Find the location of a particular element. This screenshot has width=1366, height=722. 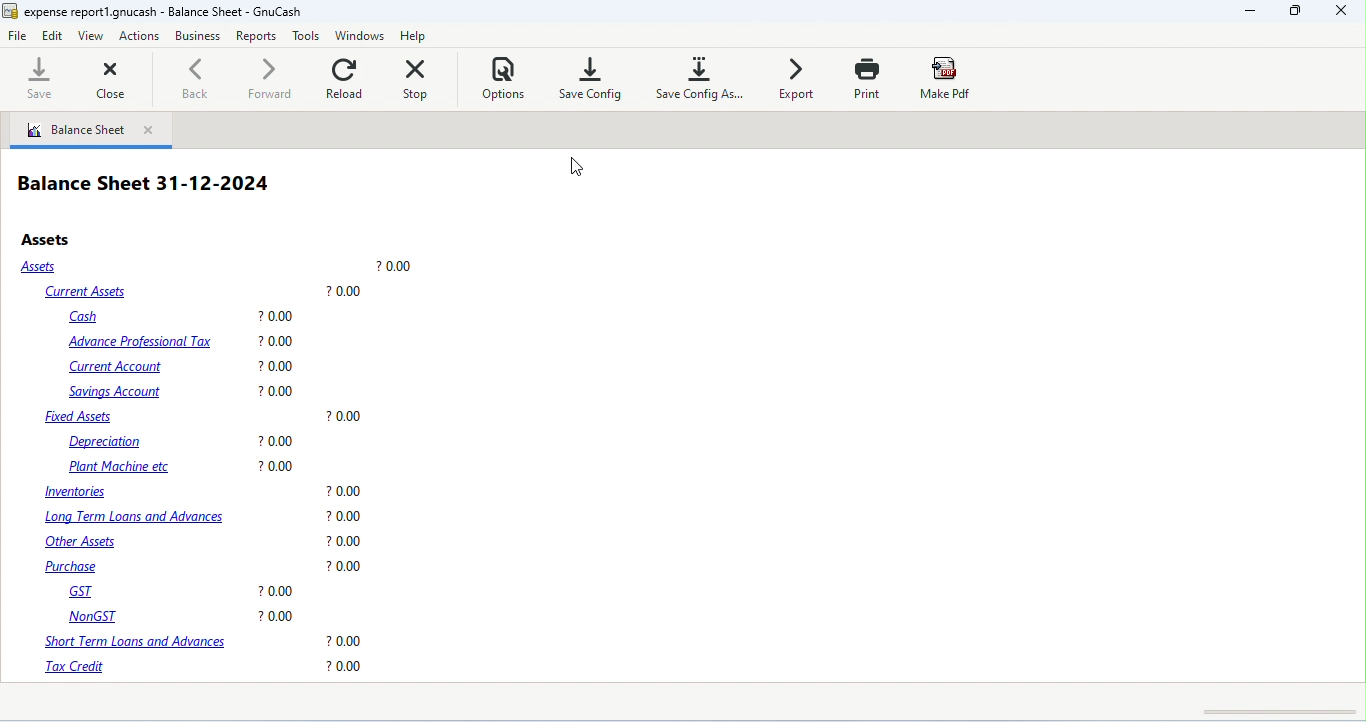

nonGST is located at coordinates (178, 615).